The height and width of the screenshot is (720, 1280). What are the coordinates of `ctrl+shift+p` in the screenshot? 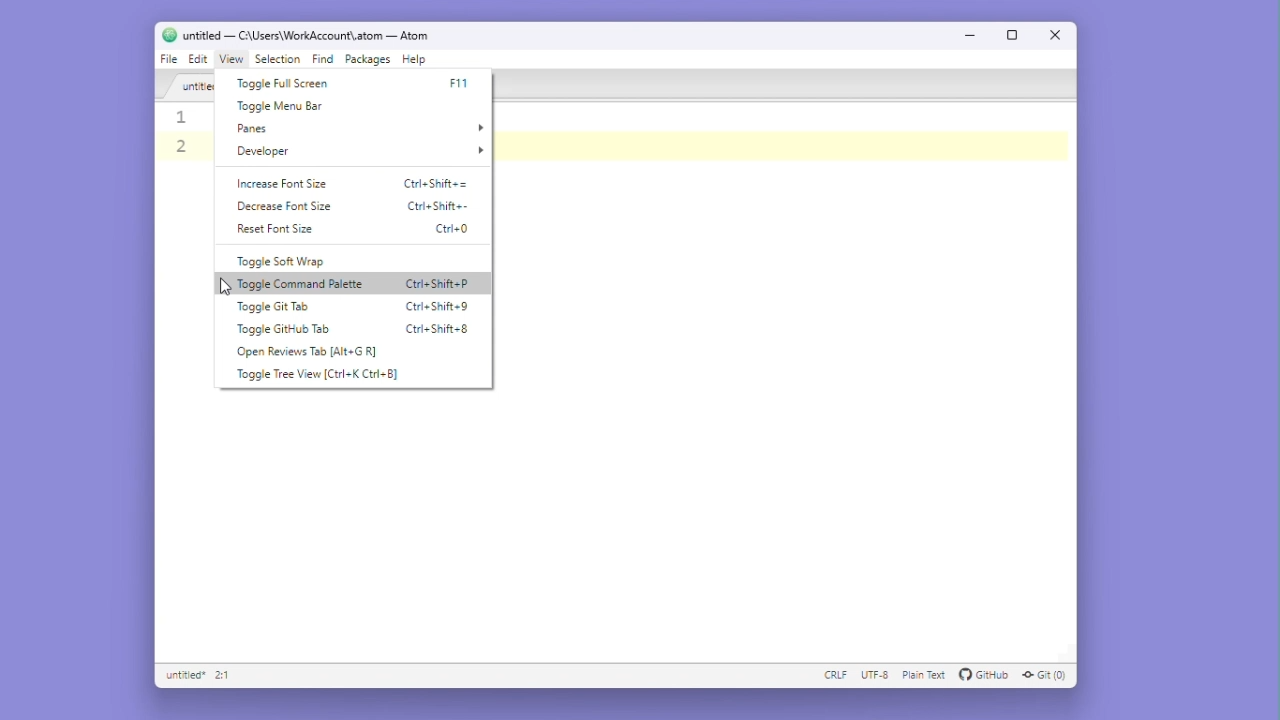 It's located at (440, 285).